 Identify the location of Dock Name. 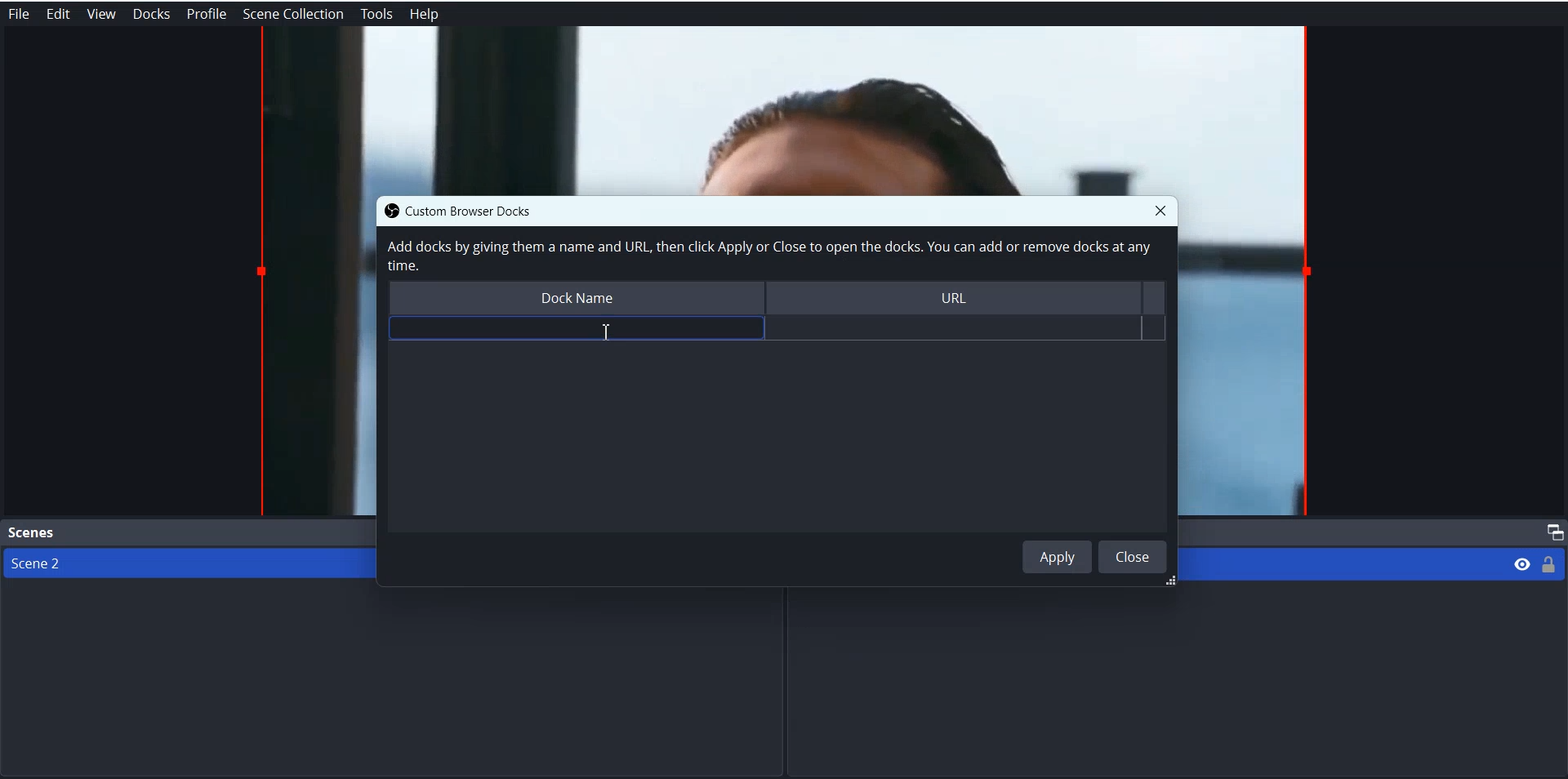
(574, 300).